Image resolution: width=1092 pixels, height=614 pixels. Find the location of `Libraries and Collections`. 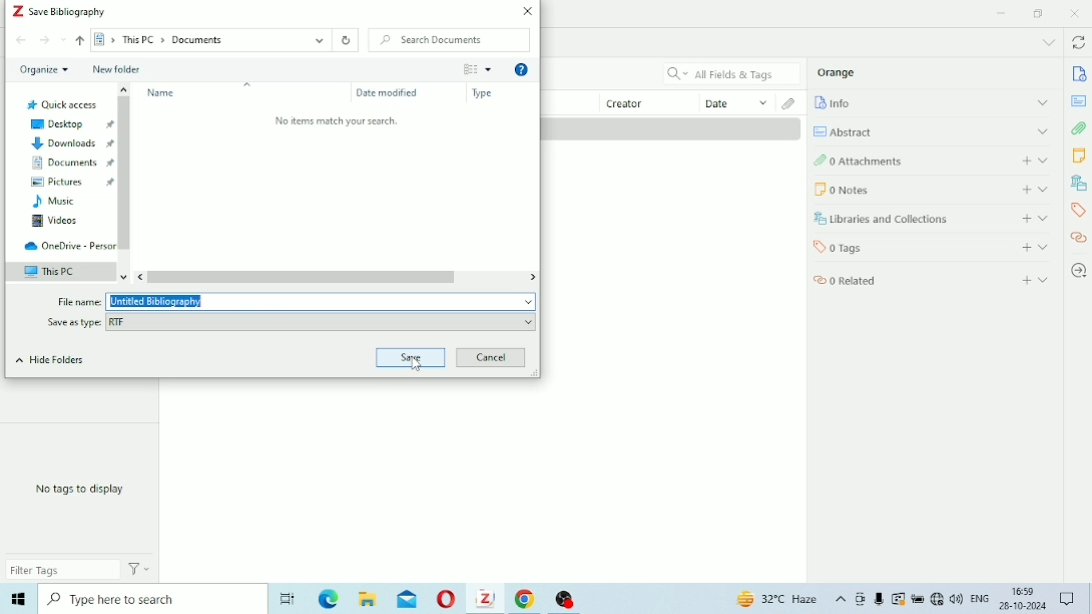

Libraries and Collections is located at coordinates (1078, 182).